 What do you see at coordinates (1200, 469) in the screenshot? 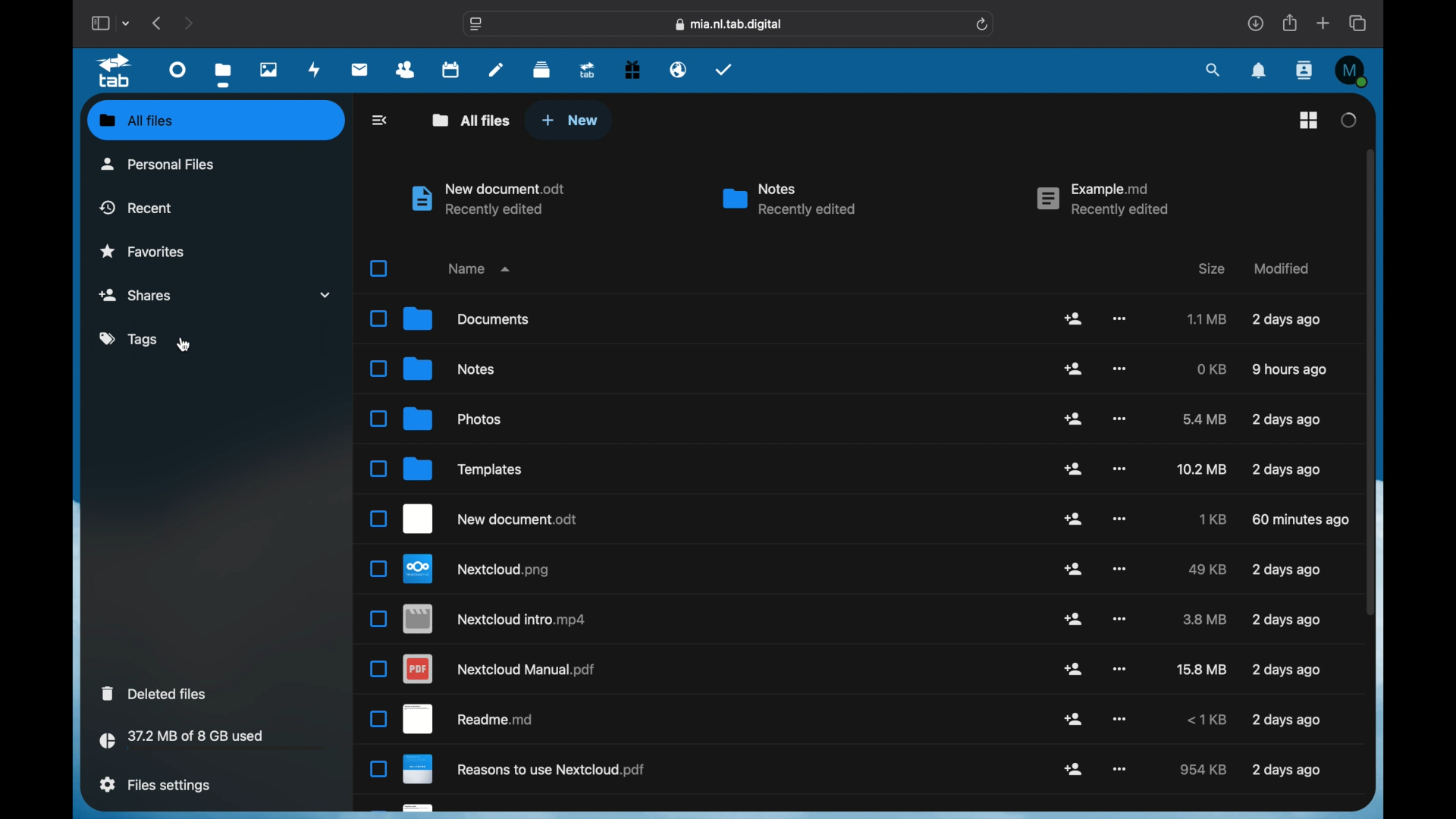
I see `size` at bounding box center [1200, 469].